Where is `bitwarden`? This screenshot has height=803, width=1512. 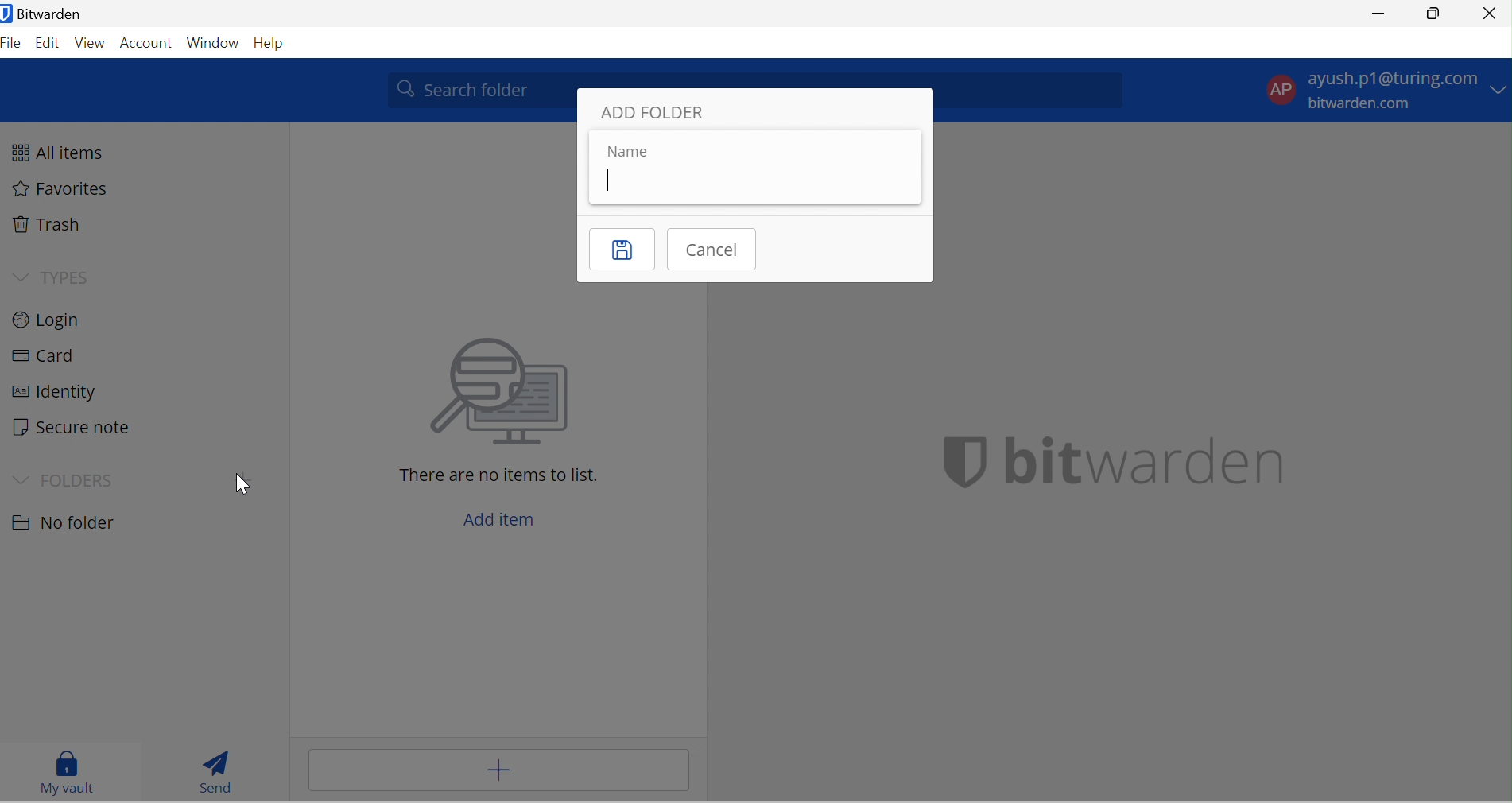 bitwarden is located at coordinates (1115, 462).